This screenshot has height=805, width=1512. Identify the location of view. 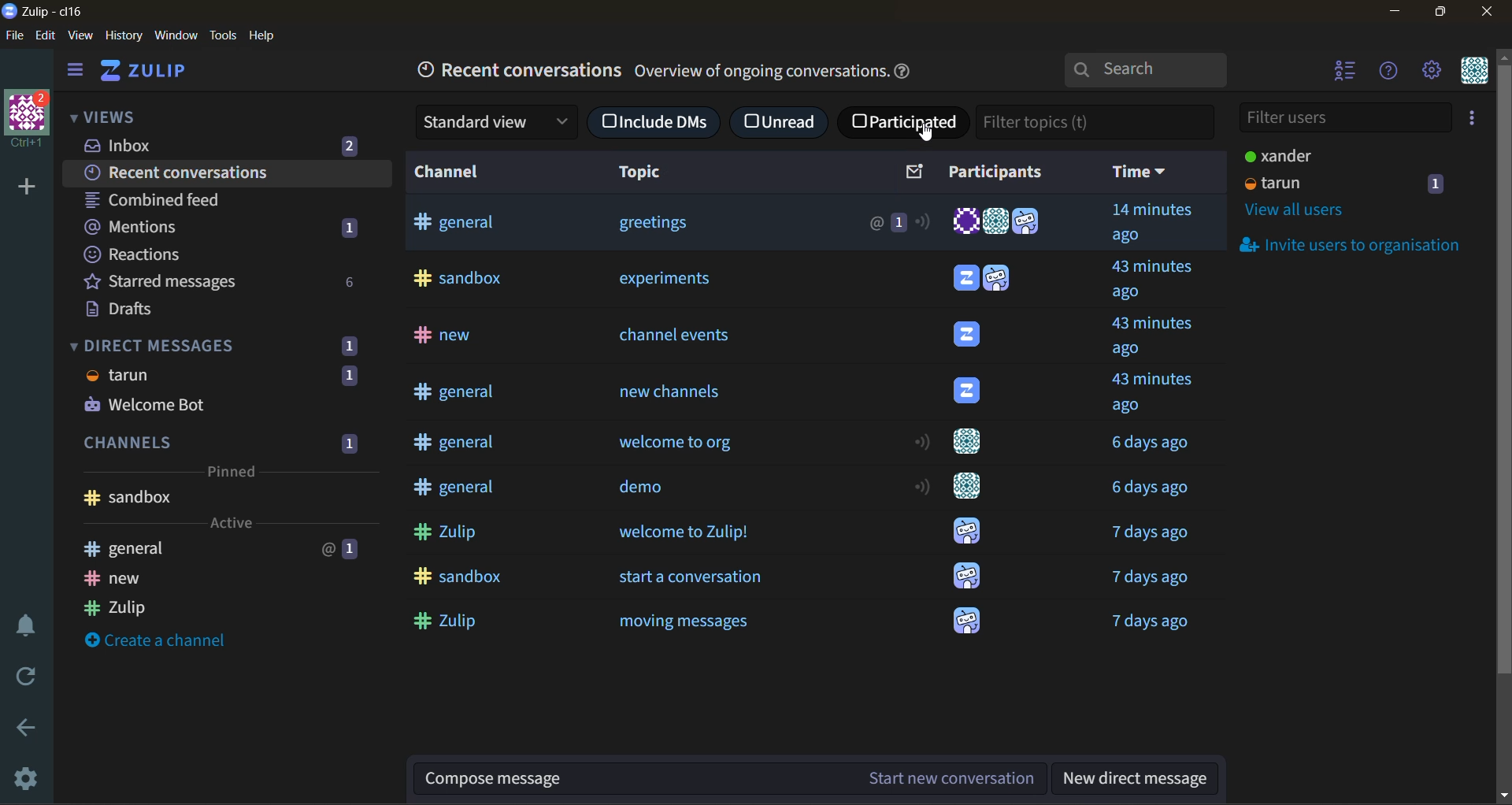
(82, 35).